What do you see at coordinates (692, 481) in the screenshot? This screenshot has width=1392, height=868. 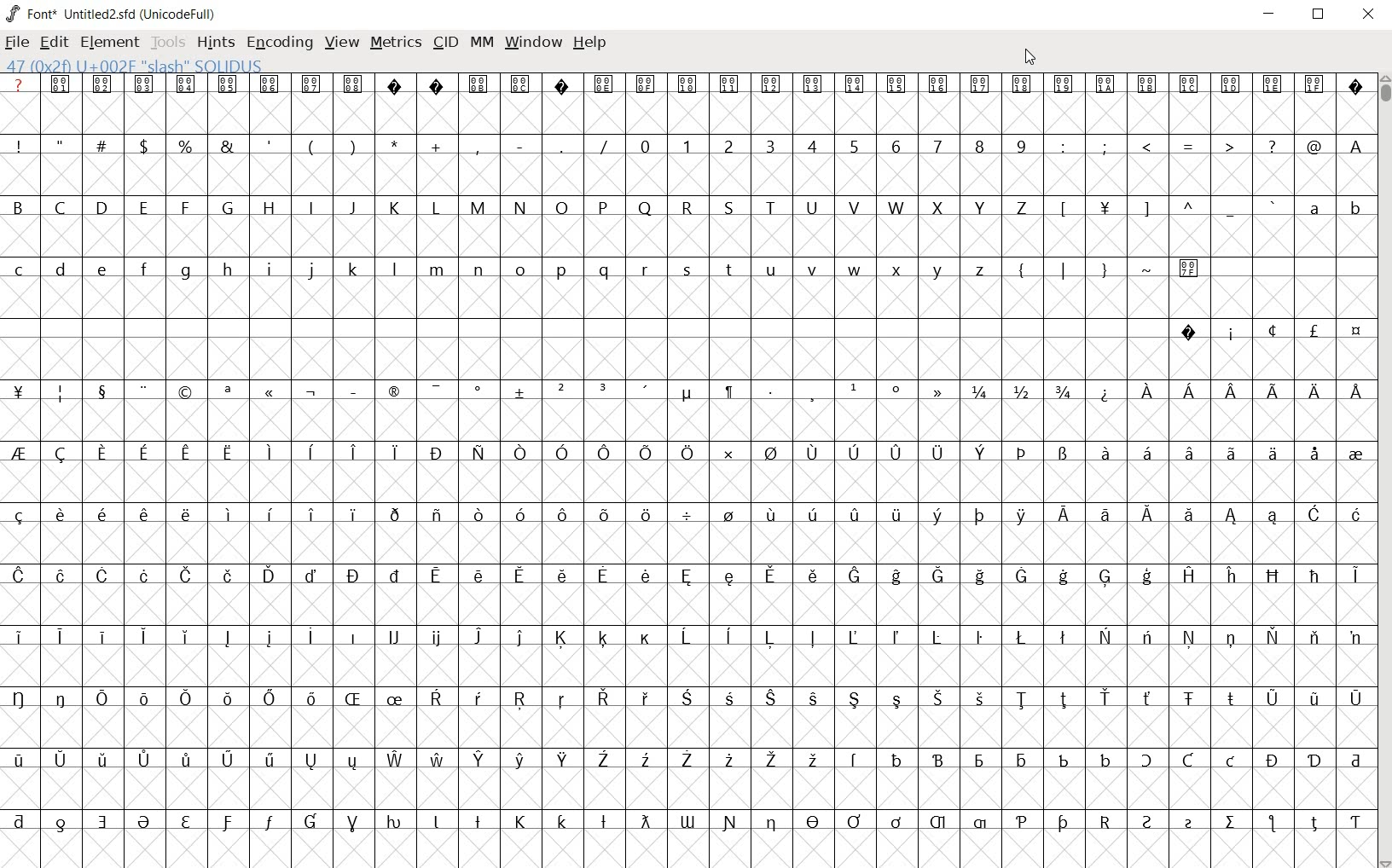 I see `empty cells` at bounding box center [692, 481].